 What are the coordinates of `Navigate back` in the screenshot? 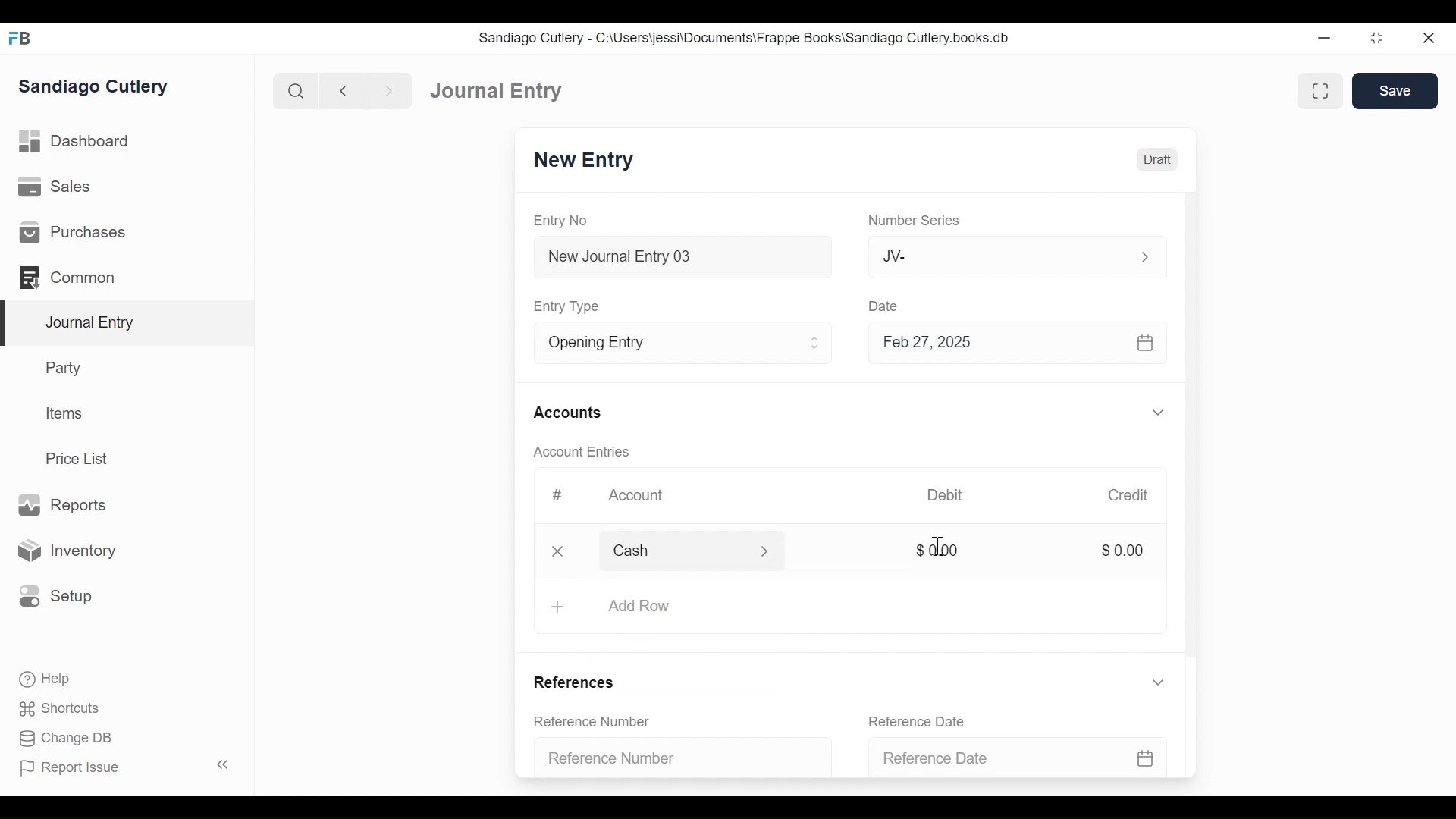 It's located at (341, 91).